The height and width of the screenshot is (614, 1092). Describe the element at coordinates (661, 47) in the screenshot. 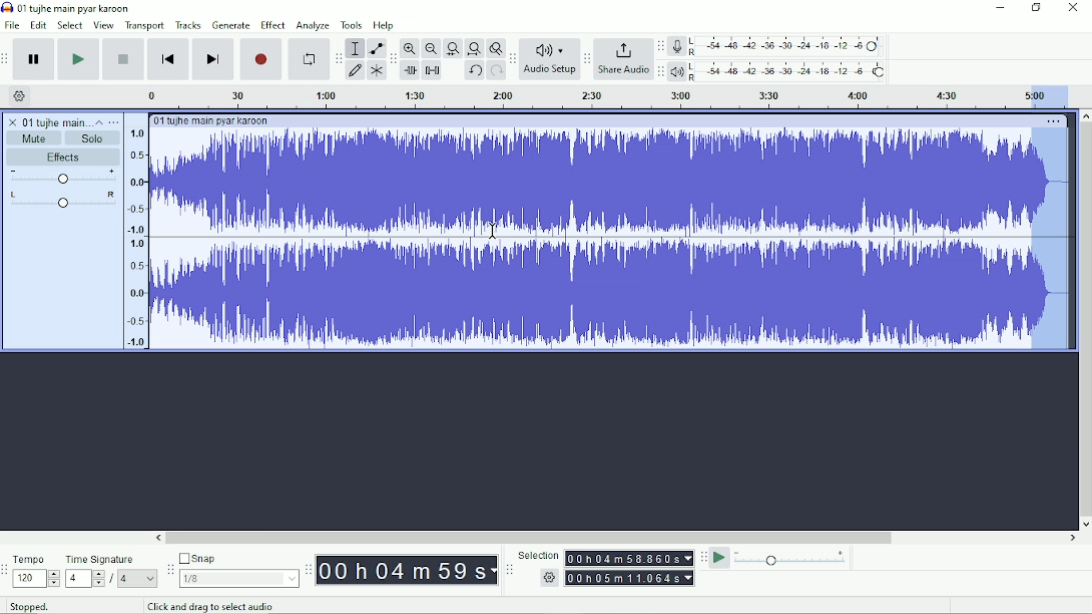

I see `Audacity recording meter toolbar` at that location.